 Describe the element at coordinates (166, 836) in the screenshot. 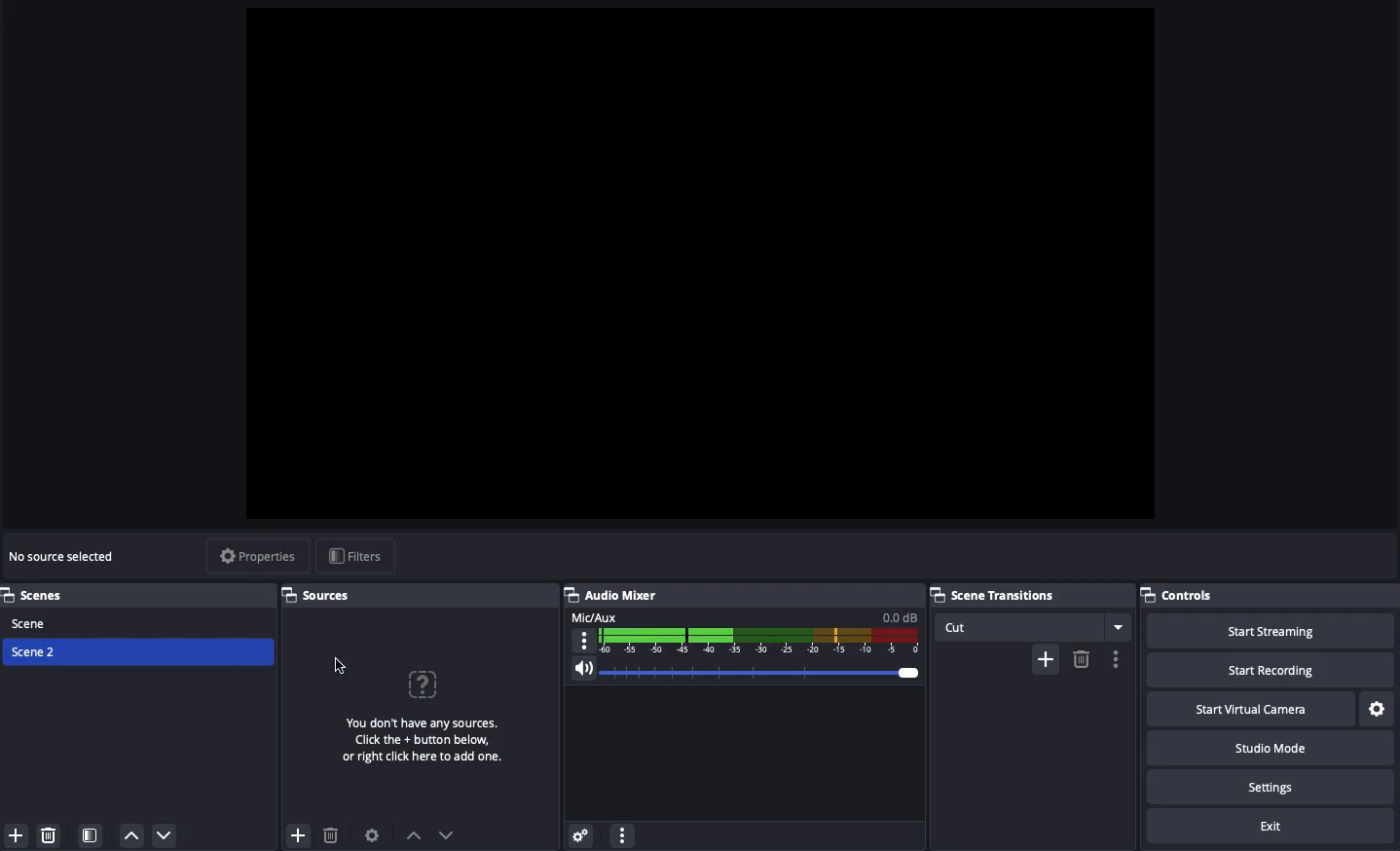

I see `Move down` at that location.